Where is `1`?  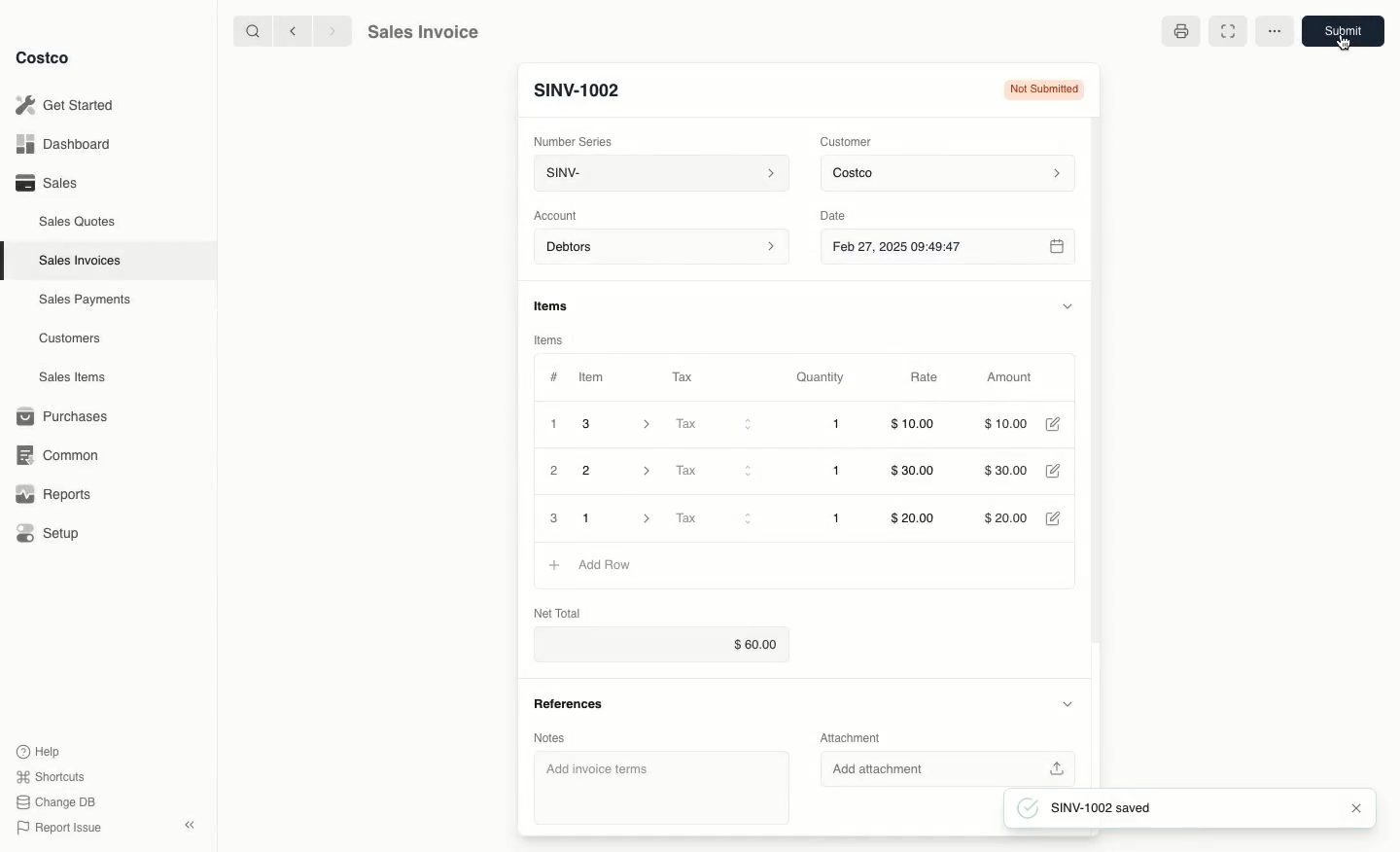
1 is located at coordinates (838, 426).